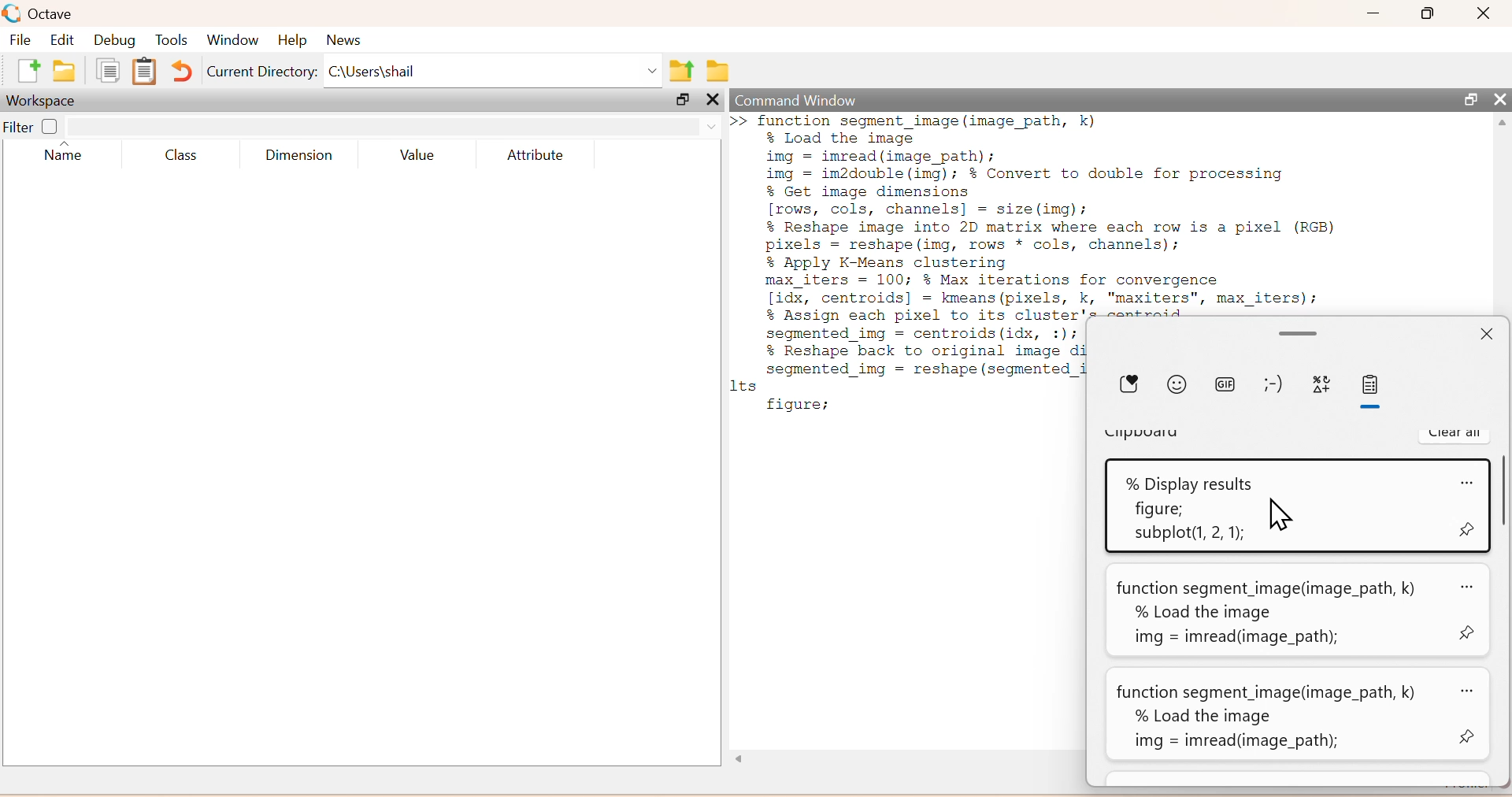  Describe the element at coordinates (709, 124) in the screenshot. I see `drop down` at that location.